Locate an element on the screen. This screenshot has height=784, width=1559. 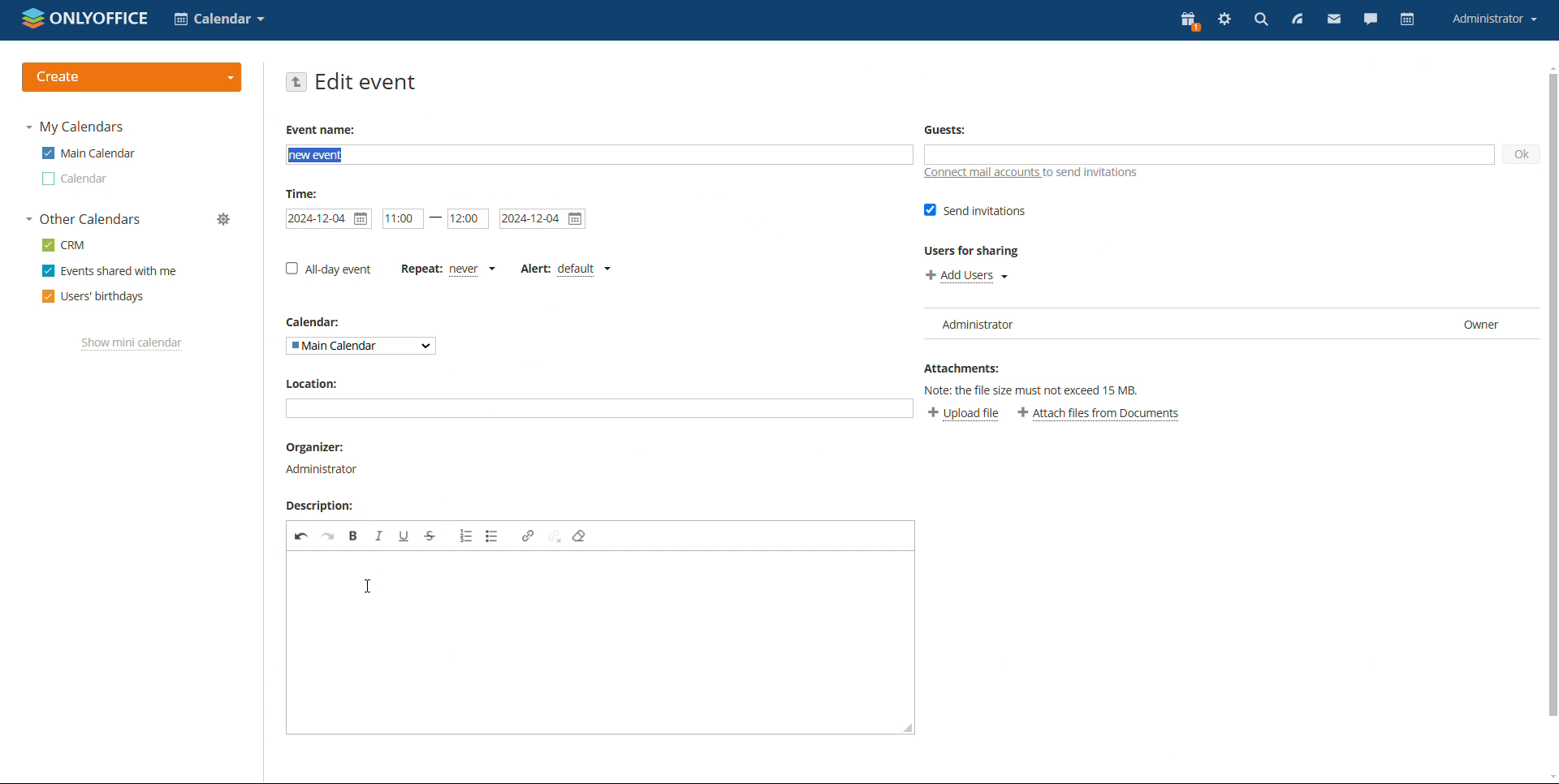
Note: the file size must not exceed 15 MB. is located at coordinates (1036, 393).